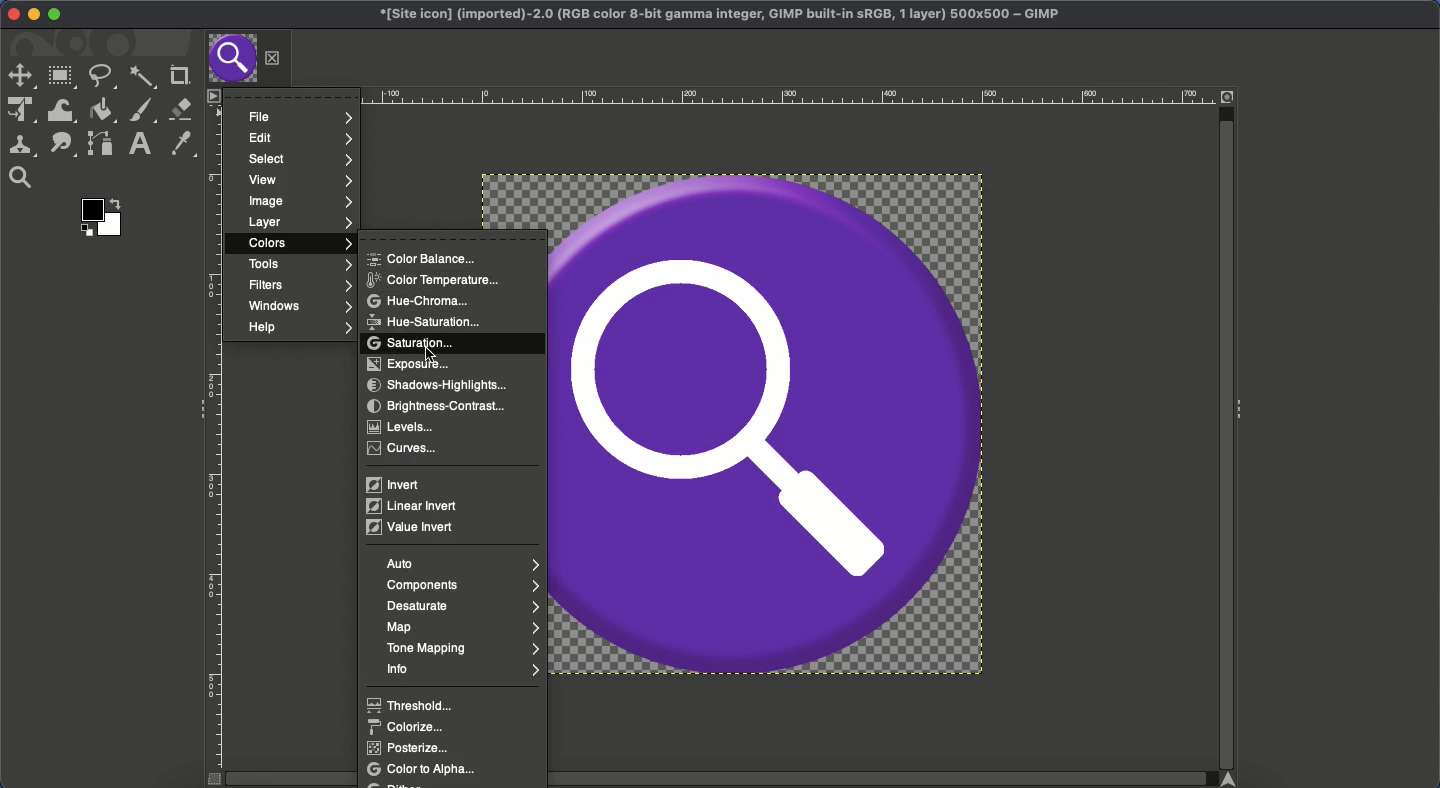 Image resolution: width=1440 pixels, height=788 pixels. I want to click on Ruler, so click(217, 438).